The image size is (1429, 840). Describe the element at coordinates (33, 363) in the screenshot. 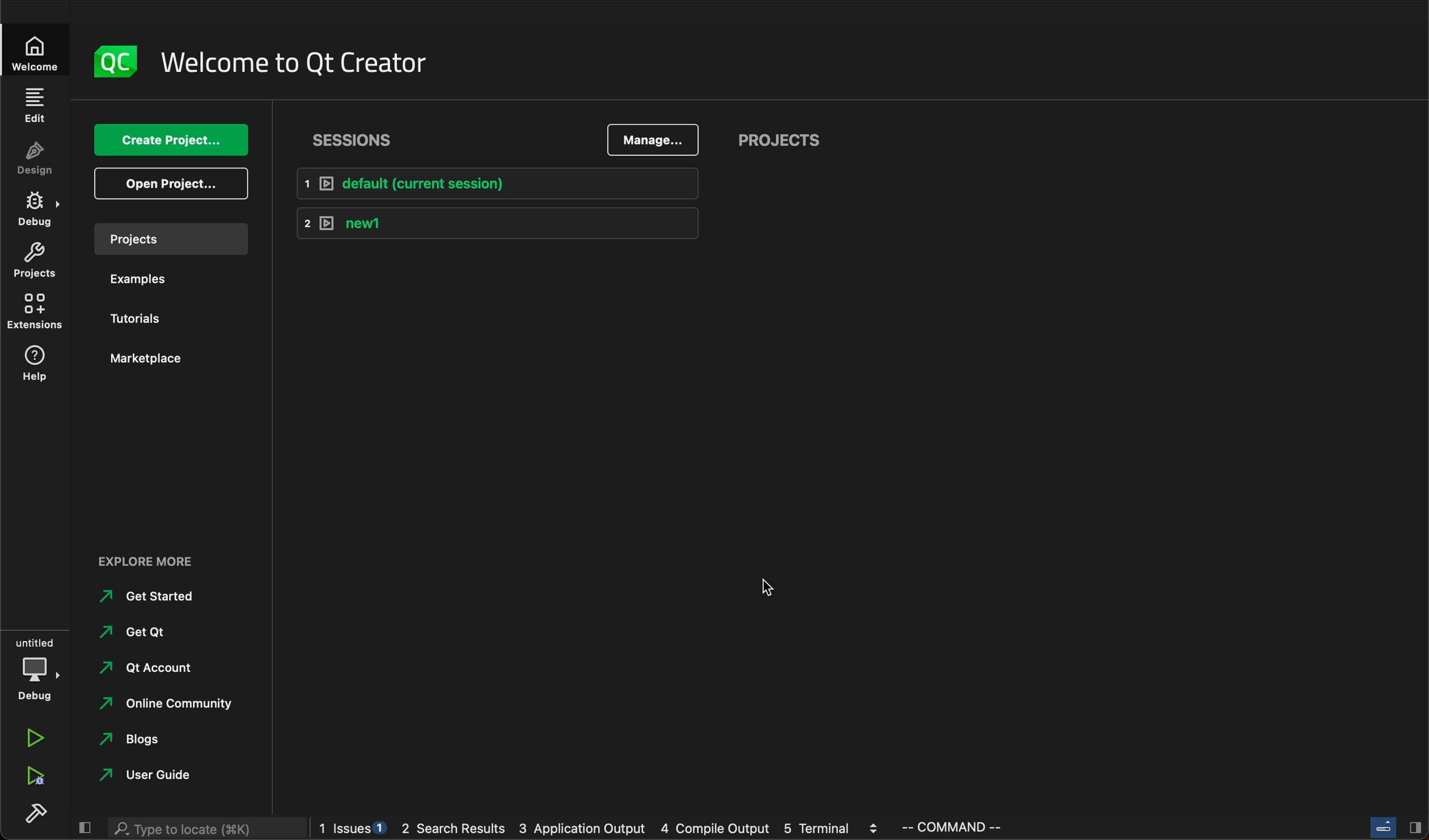

I see `help` at that location.